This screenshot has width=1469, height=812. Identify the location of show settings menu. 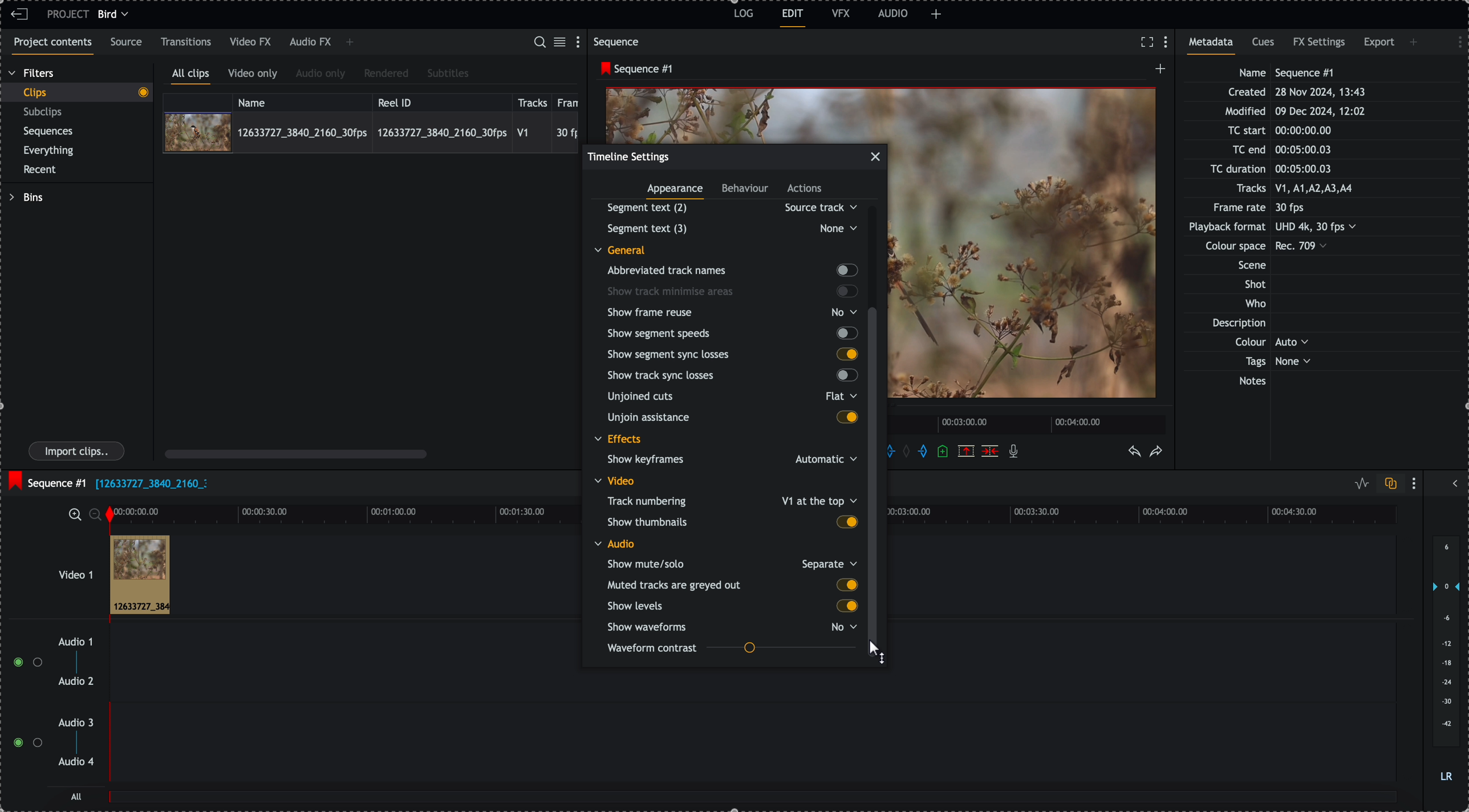
(1454, 40).